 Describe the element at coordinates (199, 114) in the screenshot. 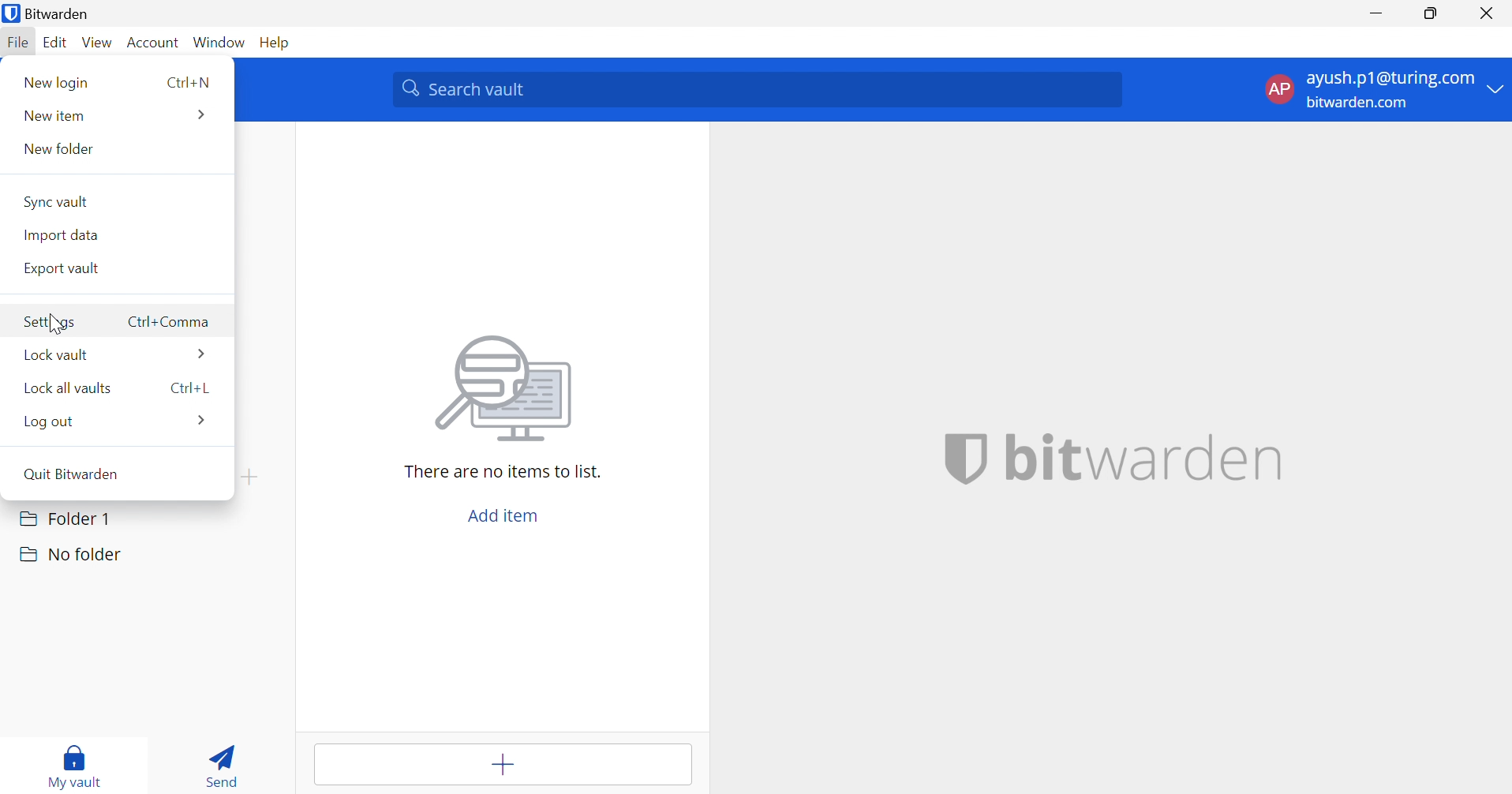

I see `More` at that location.